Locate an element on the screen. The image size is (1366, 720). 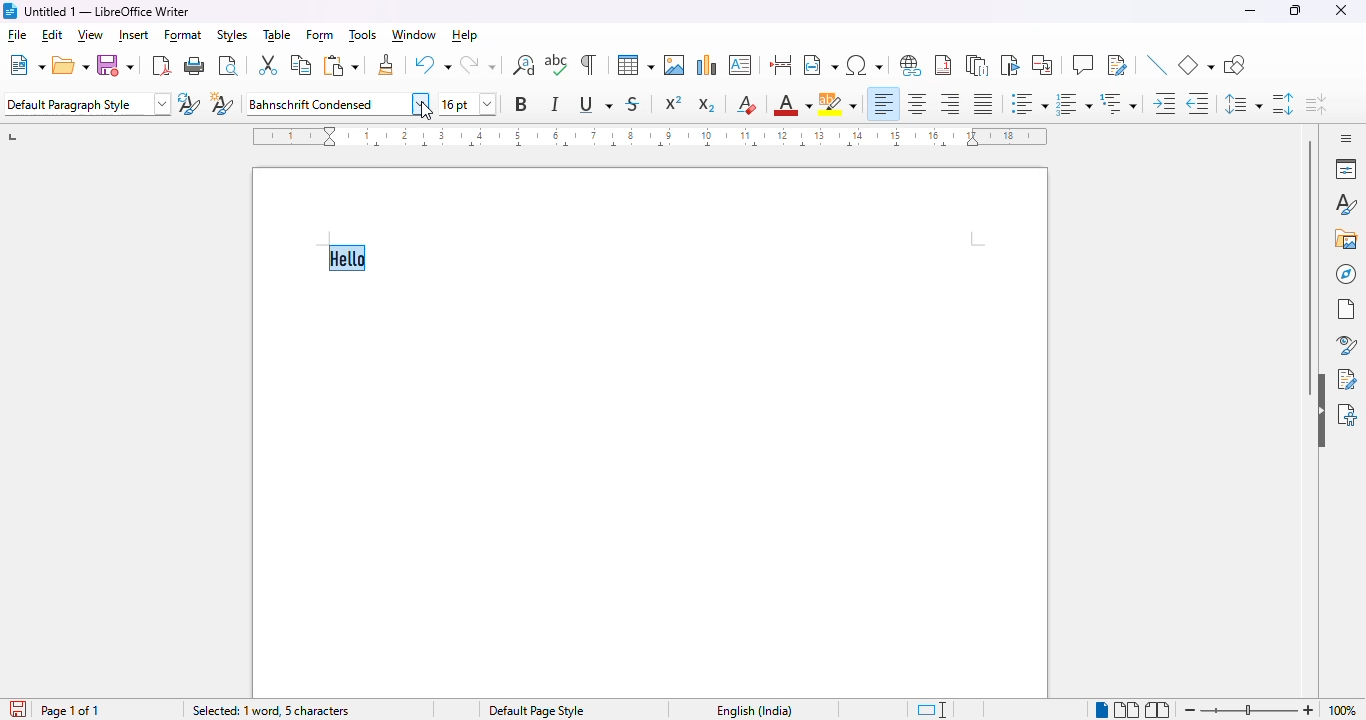
select outline format is located at coordinates (1119, 103).